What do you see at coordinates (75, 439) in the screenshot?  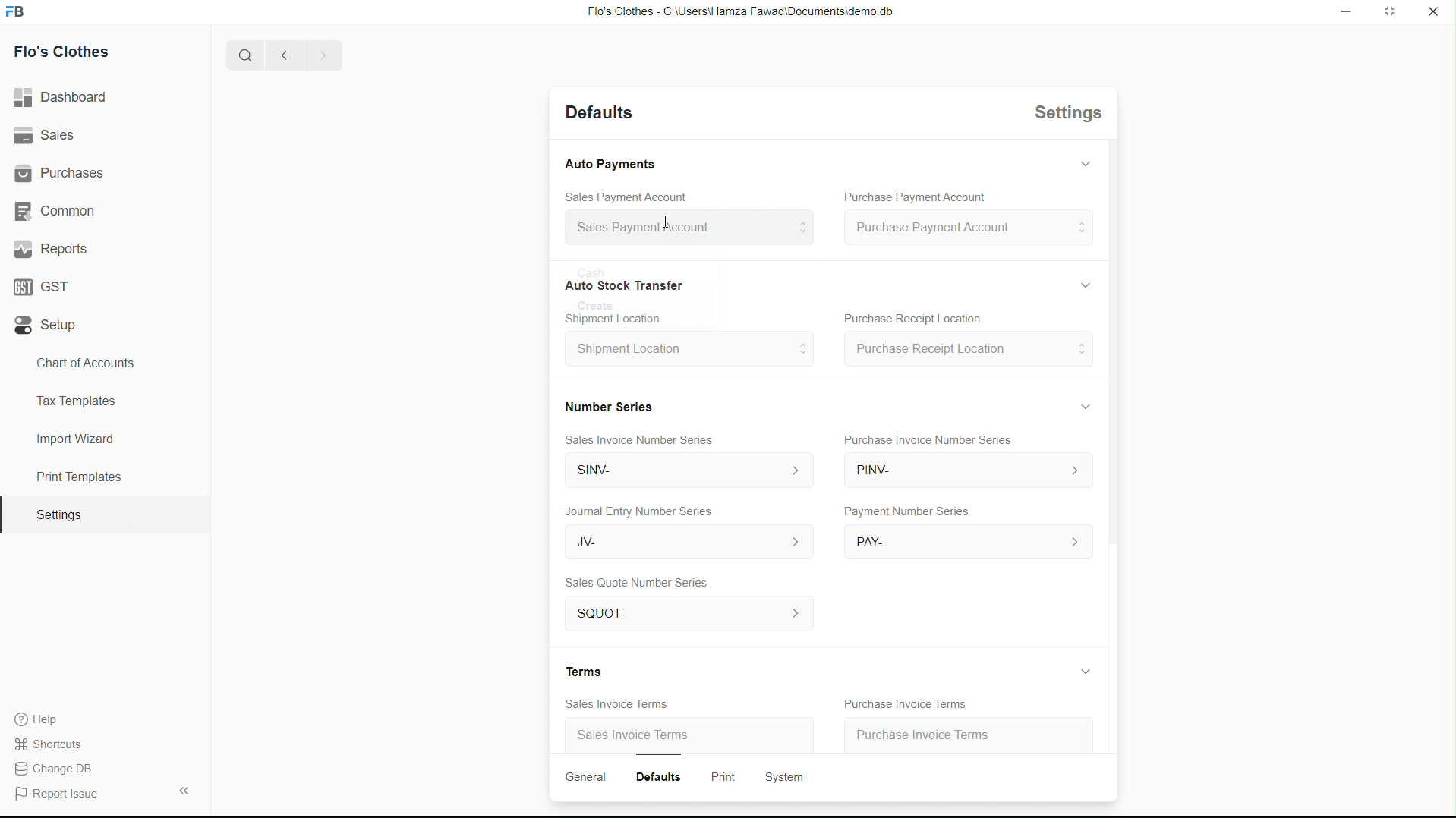 I see `Import Wizard` at bounding box center [75, 439].